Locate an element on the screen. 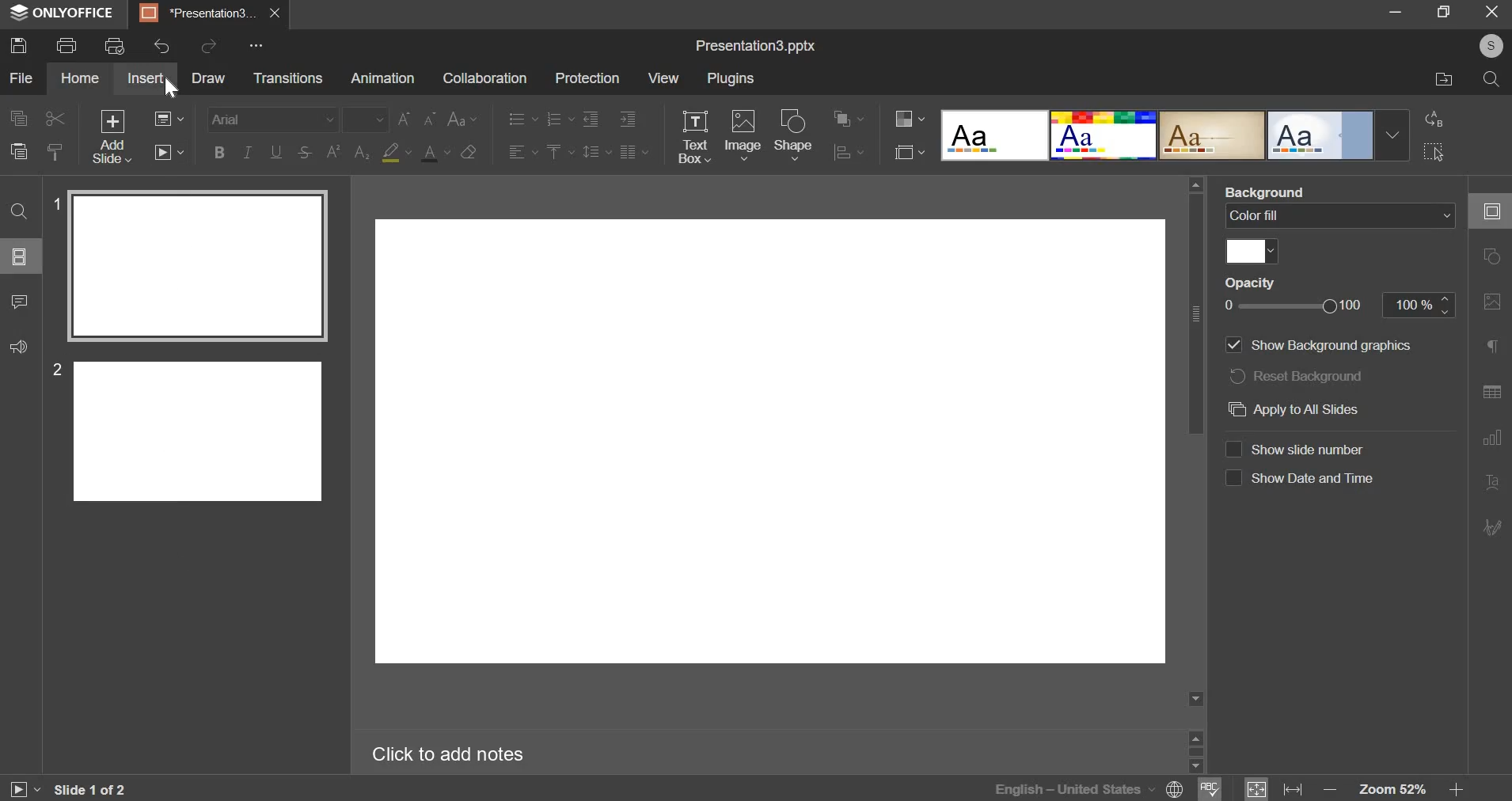 Image resolution: width=1512 pixels, height=801 pixels. vertical slider is located at coordinates (4177, 876).